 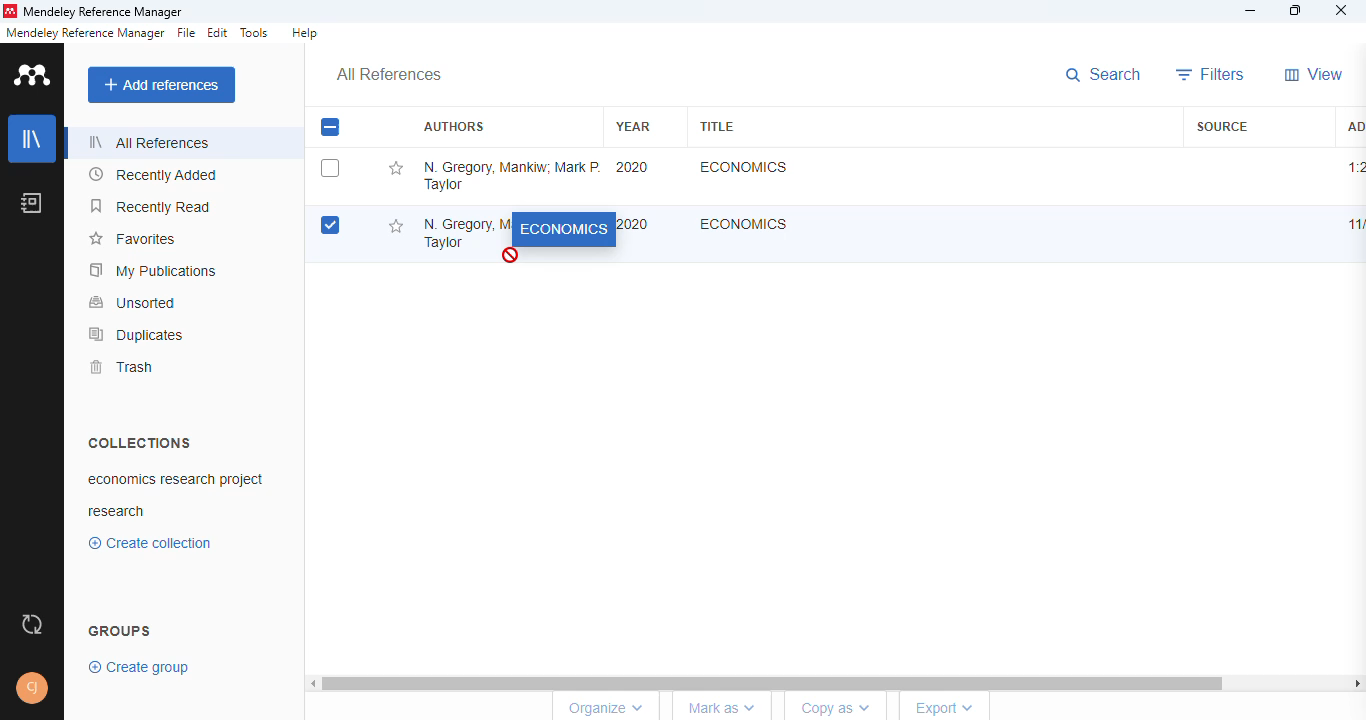 What do you see at coordinates (103, 13) in the screenshot?
I see `mendeley reference manager` at bounding box center [103, 13].